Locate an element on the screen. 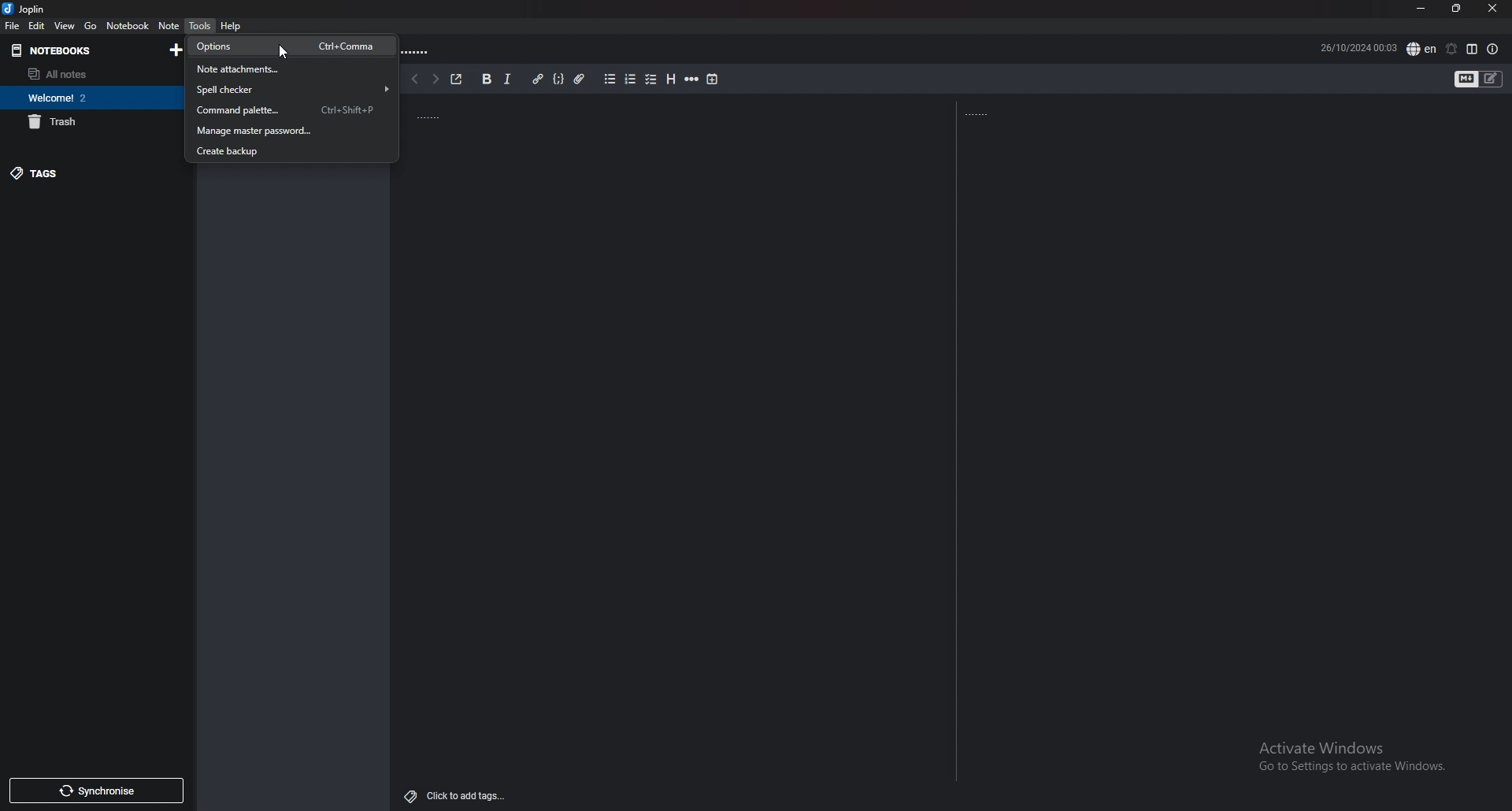 The image size is (1512, 811). joplin is located at coordinates (25, 9).